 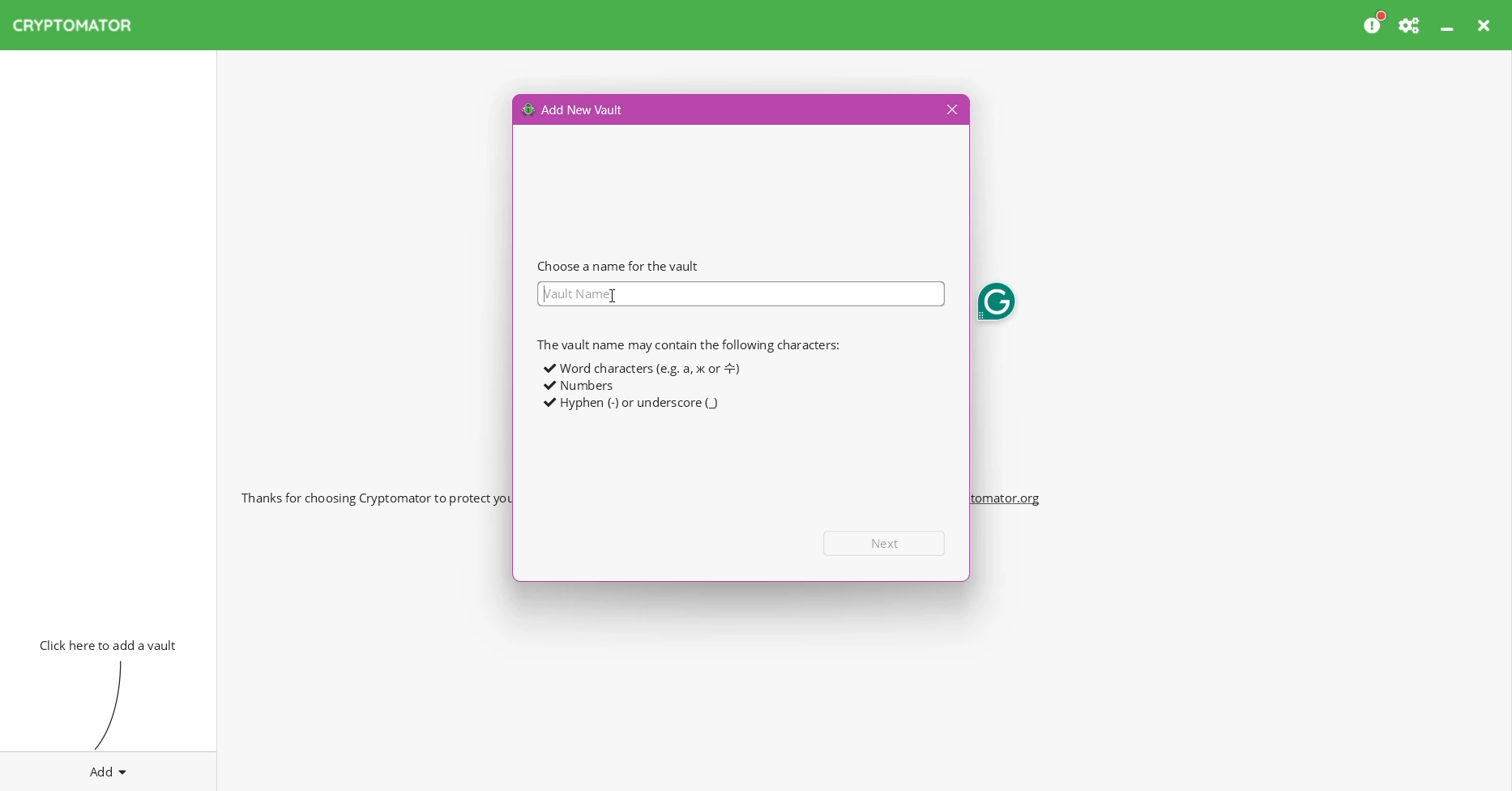 What do you see at coordinates (687, 344) in the screenshot?
I see `The vault name may contain the following characters` at bounding box center [687, 344].